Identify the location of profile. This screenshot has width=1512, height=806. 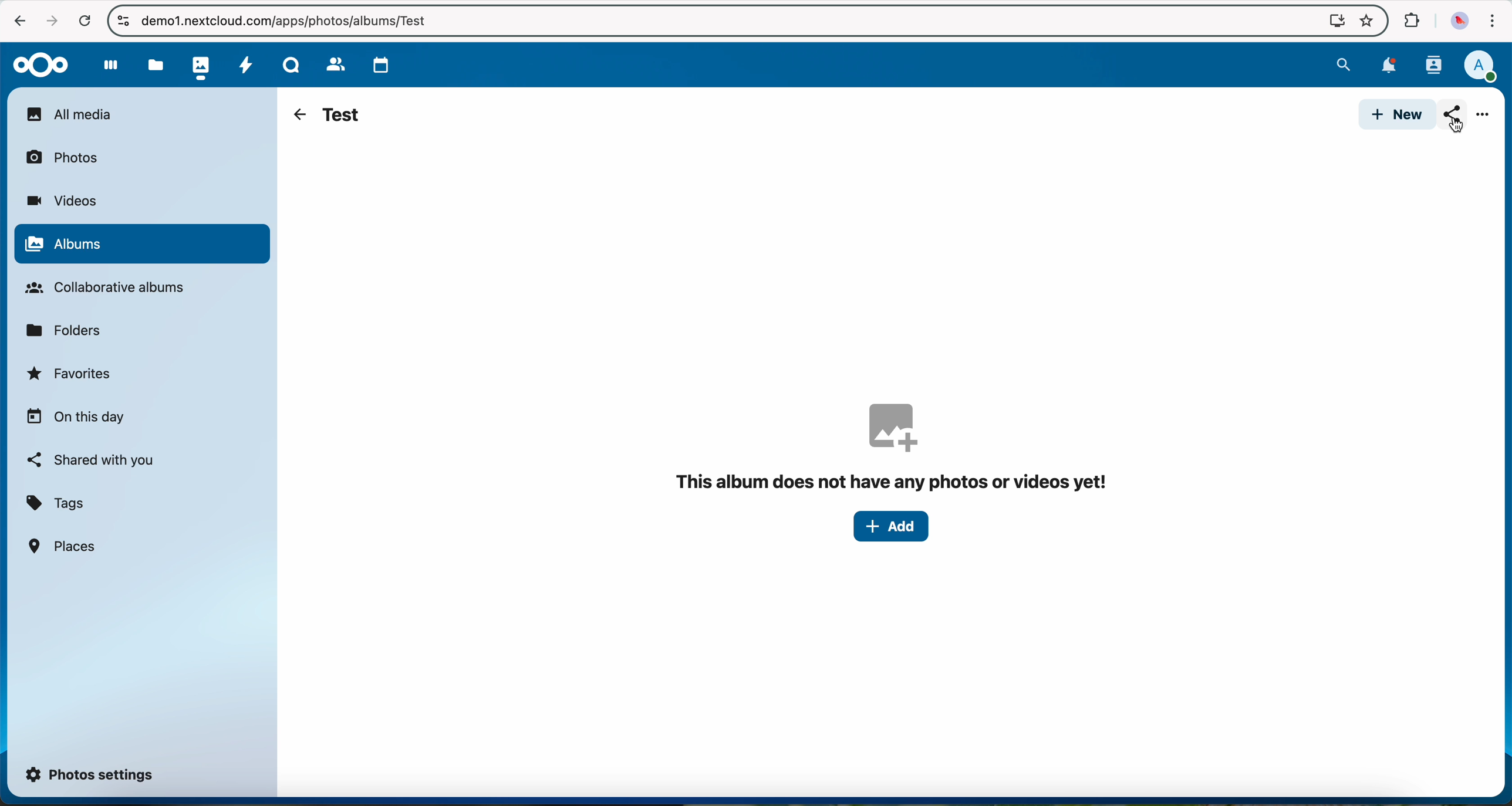
(1480, 67).